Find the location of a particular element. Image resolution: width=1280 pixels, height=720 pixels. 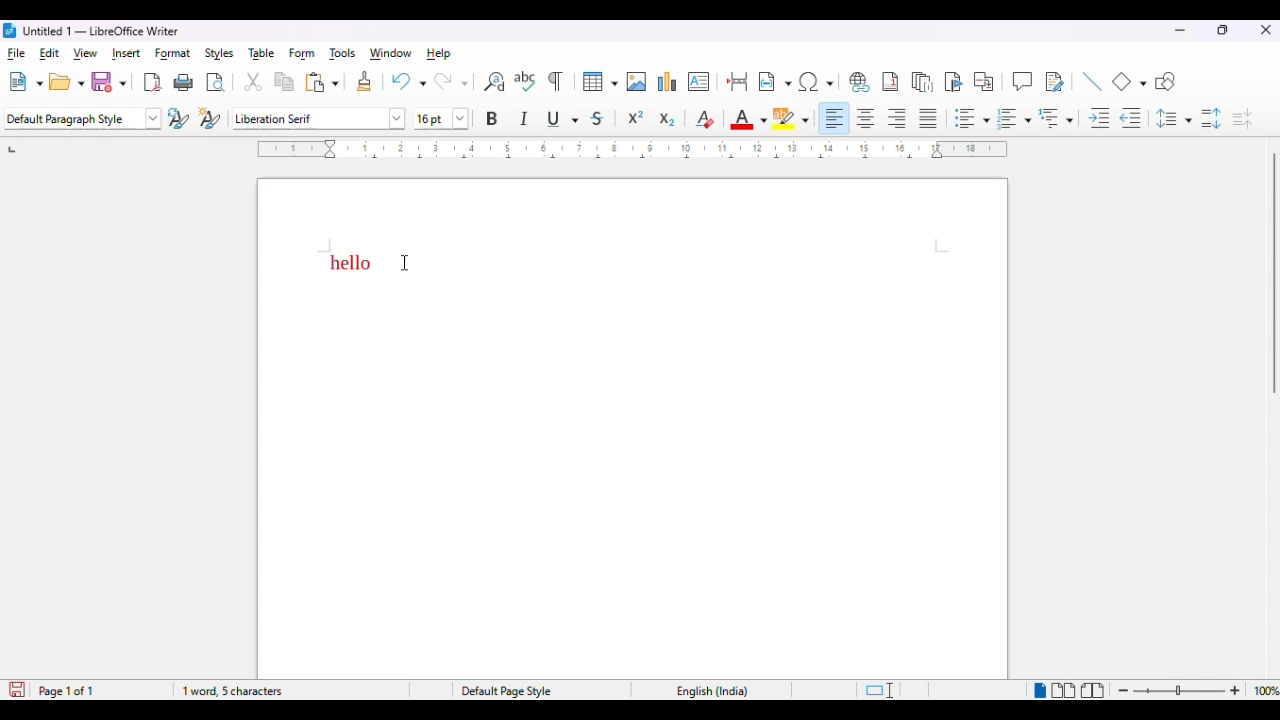

basic shapes is located at coordinates (1130, 81).